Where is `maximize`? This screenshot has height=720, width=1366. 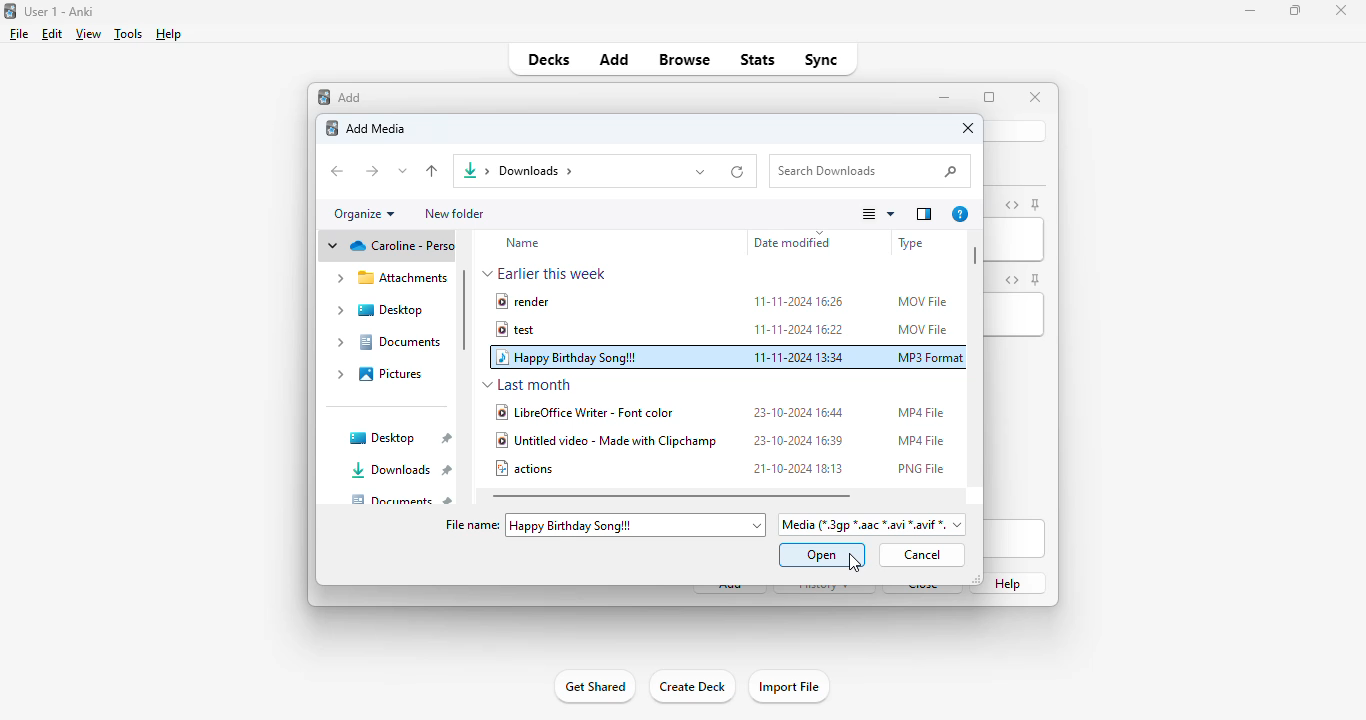 maximize is located at coordinates (1294, 10).